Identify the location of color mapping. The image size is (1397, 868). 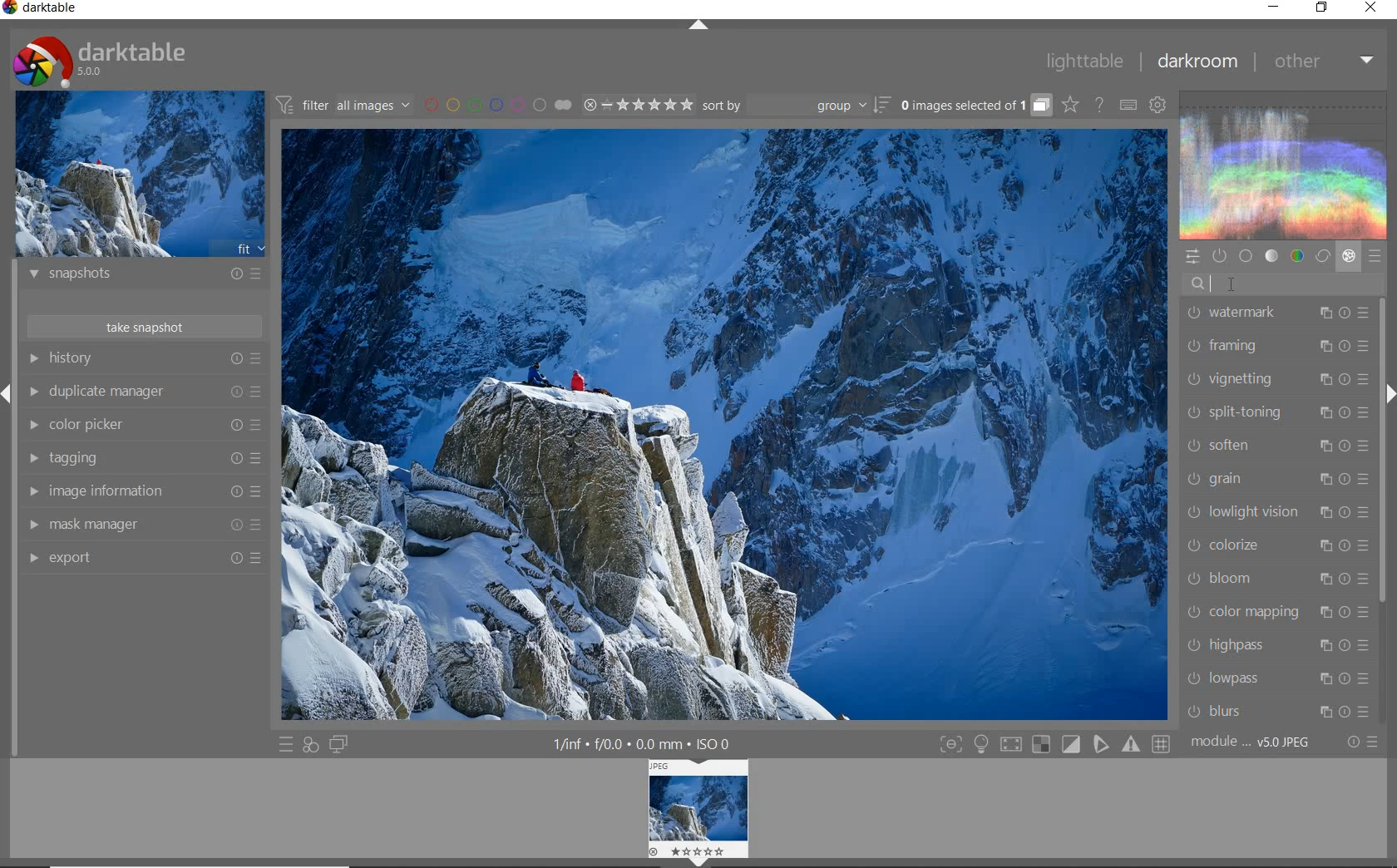
(1276, 613).